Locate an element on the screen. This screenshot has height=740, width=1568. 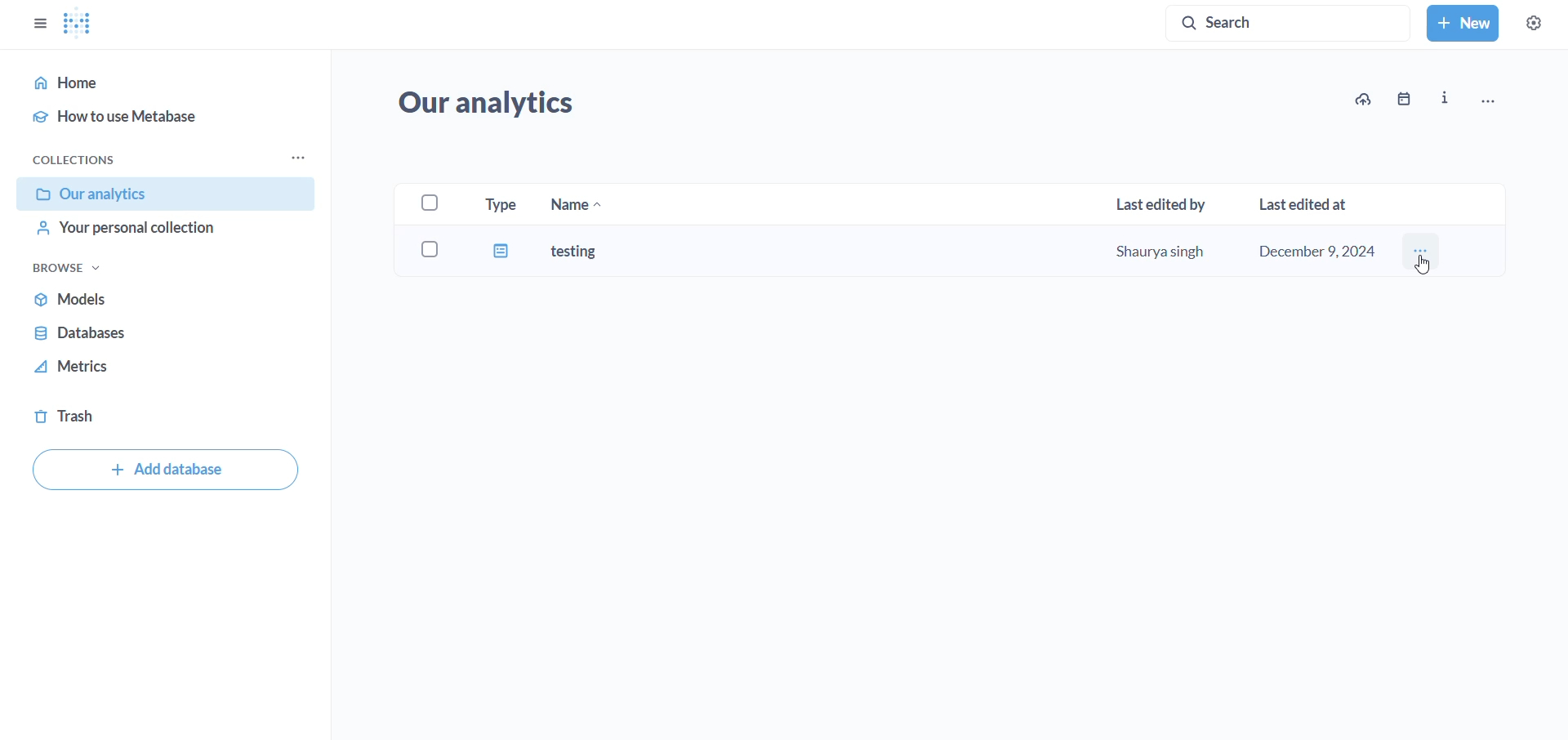
select checkbox is located at coordinates (426, 249).